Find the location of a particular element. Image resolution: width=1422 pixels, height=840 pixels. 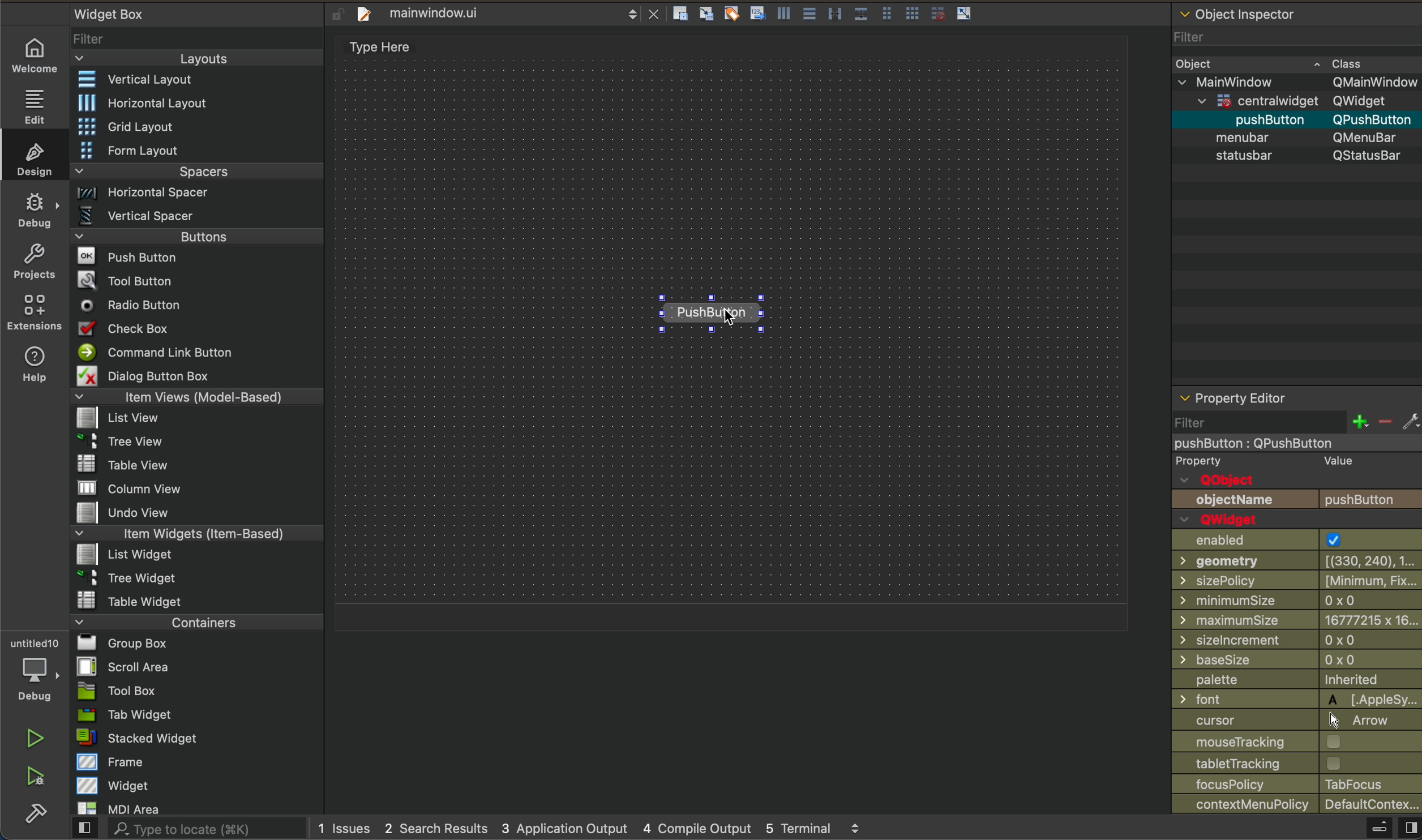

tool box is located at coordinates (194, 692).